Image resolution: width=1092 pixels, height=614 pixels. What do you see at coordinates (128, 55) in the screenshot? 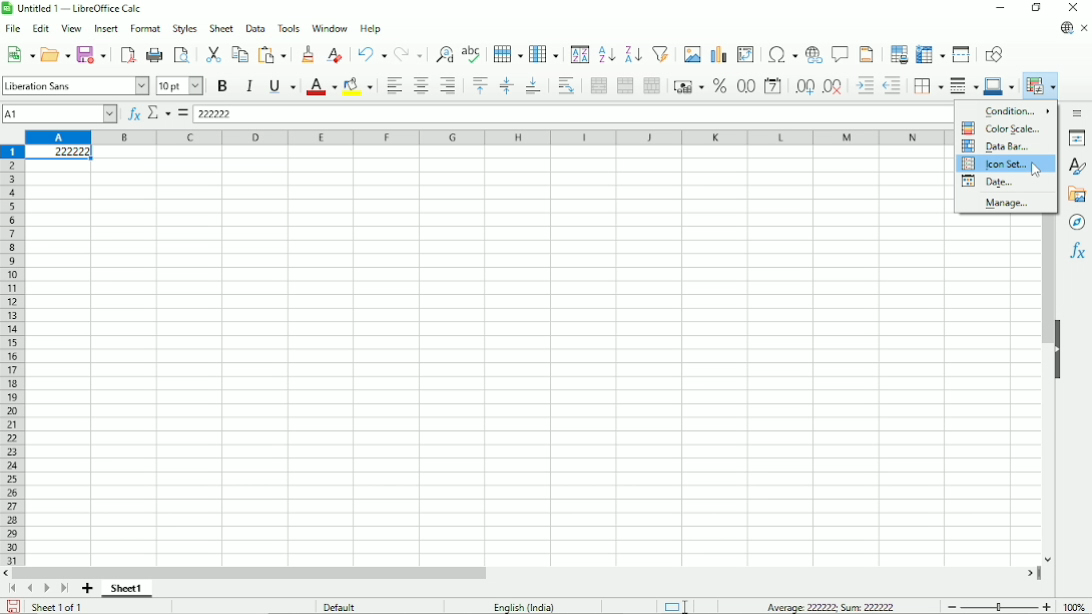
I see `Export directly as PDF` at bounding box center [128, 55].